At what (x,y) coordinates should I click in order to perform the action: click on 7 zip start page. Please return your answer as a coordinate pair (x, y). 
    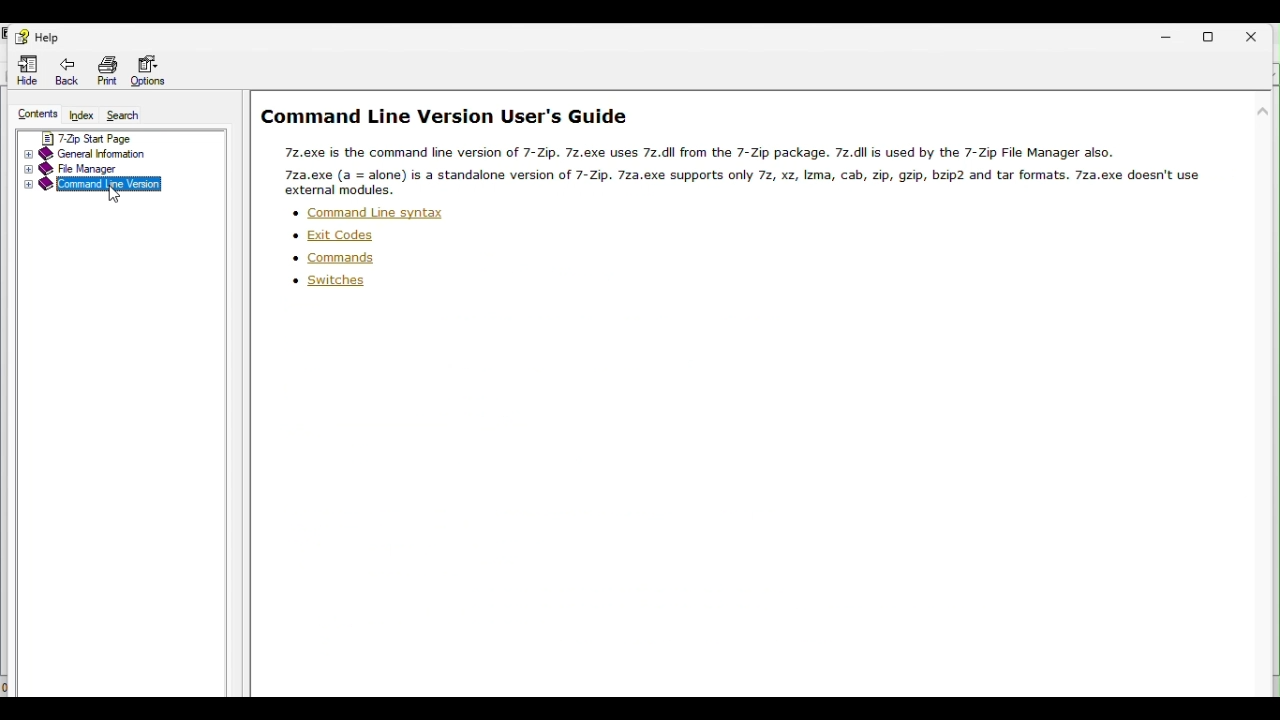
    Looking at the image, I should click on (123, 137).